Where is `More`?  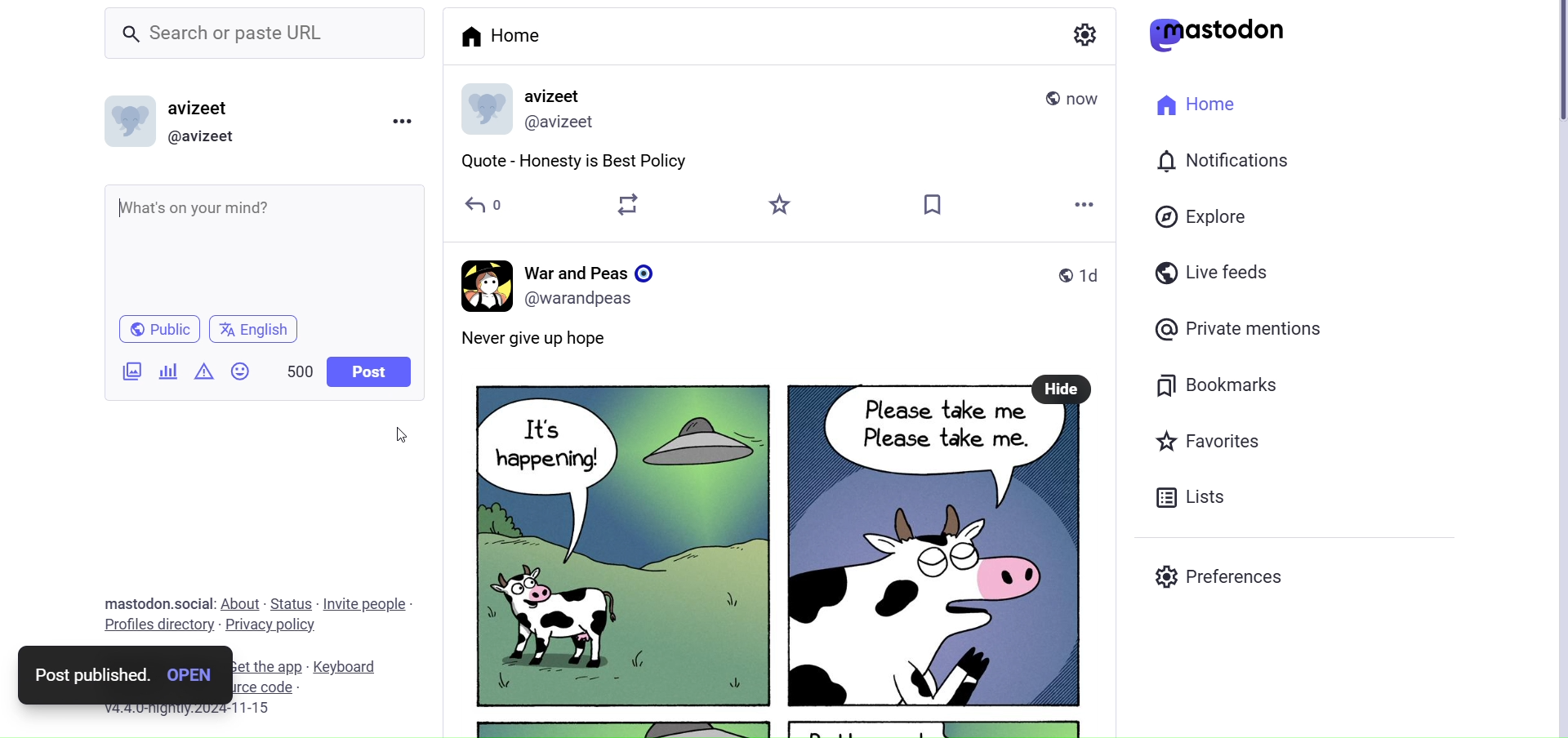
More is located at coordinates (1080, 202).